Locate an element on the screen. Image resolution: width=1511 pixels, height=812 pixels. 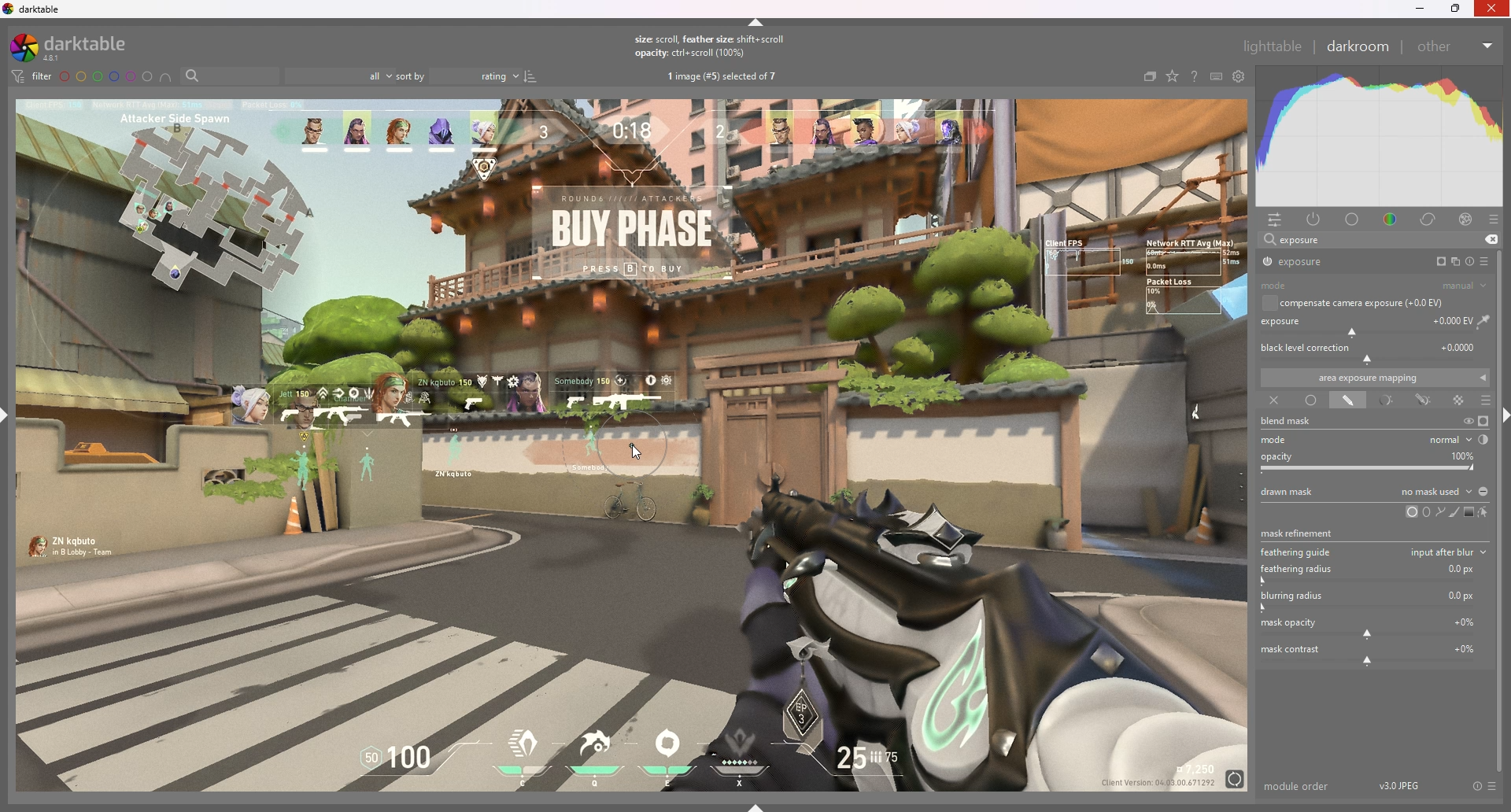
correct is located at coordinates (1430, 220).